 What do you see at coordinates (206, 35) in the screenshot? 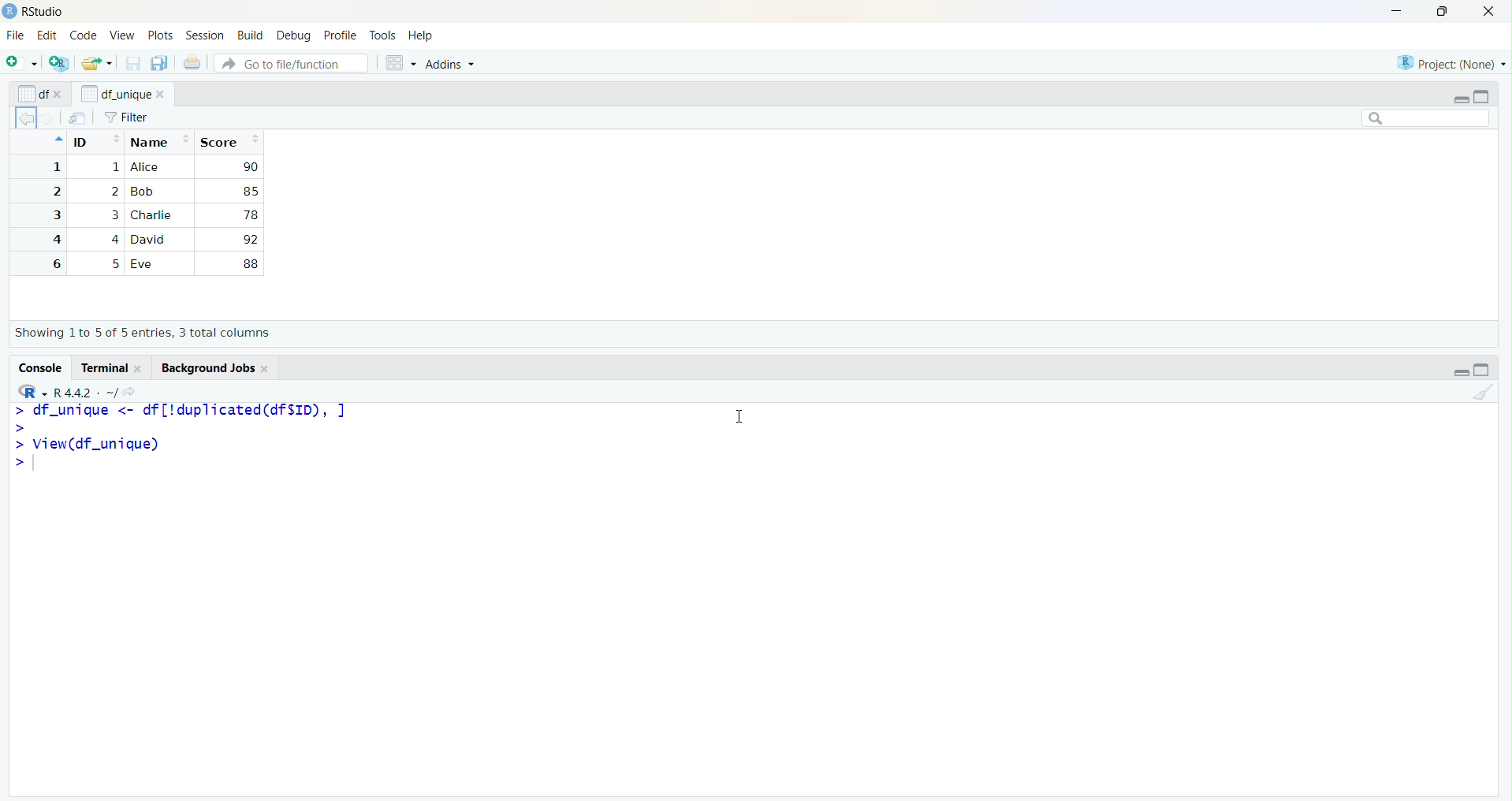
I see `Session` at bounding box center [206, 35].